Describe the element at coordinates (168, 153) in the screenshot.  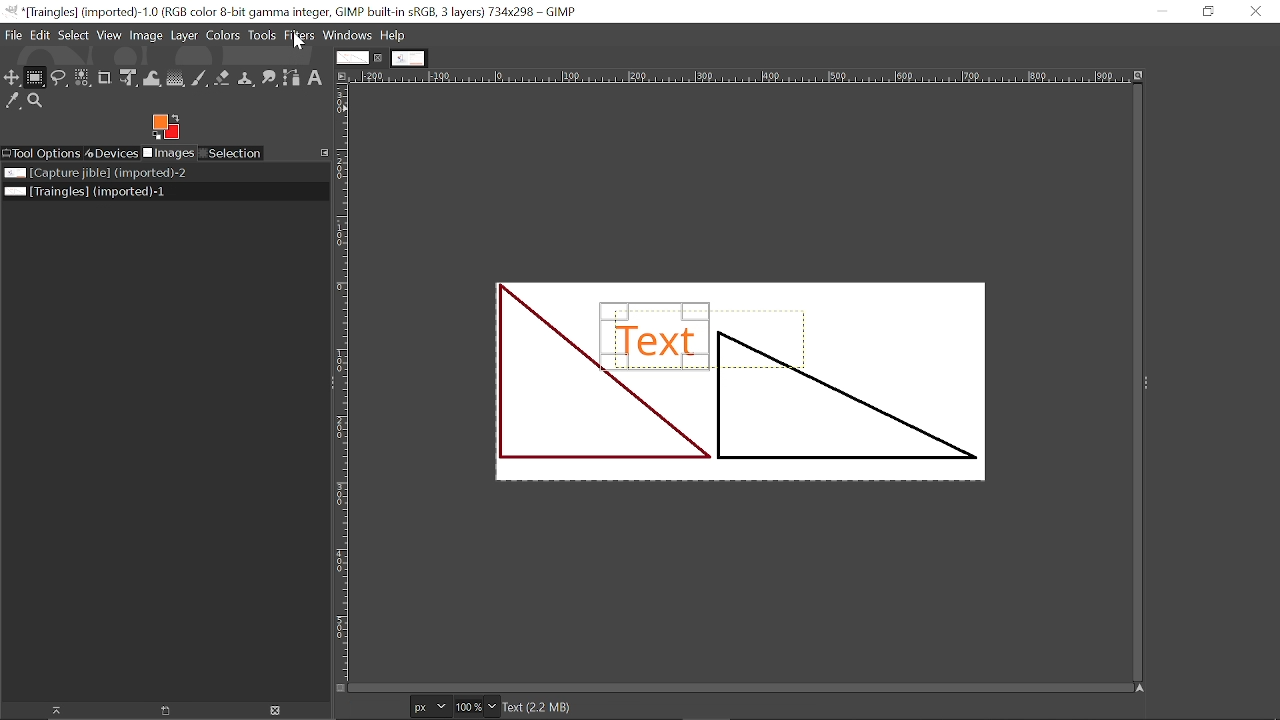
I see `Imges` at that location.